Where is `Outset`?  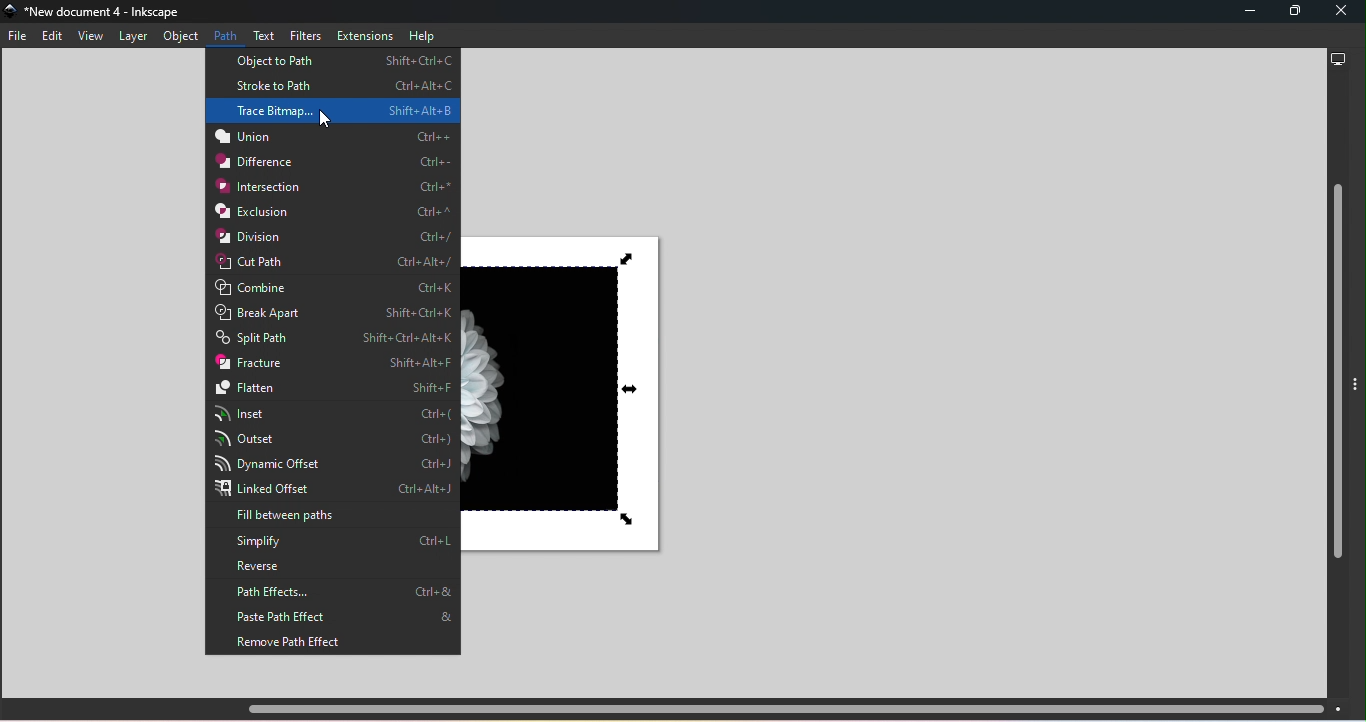 Outset is located at coordinates (335, 436).